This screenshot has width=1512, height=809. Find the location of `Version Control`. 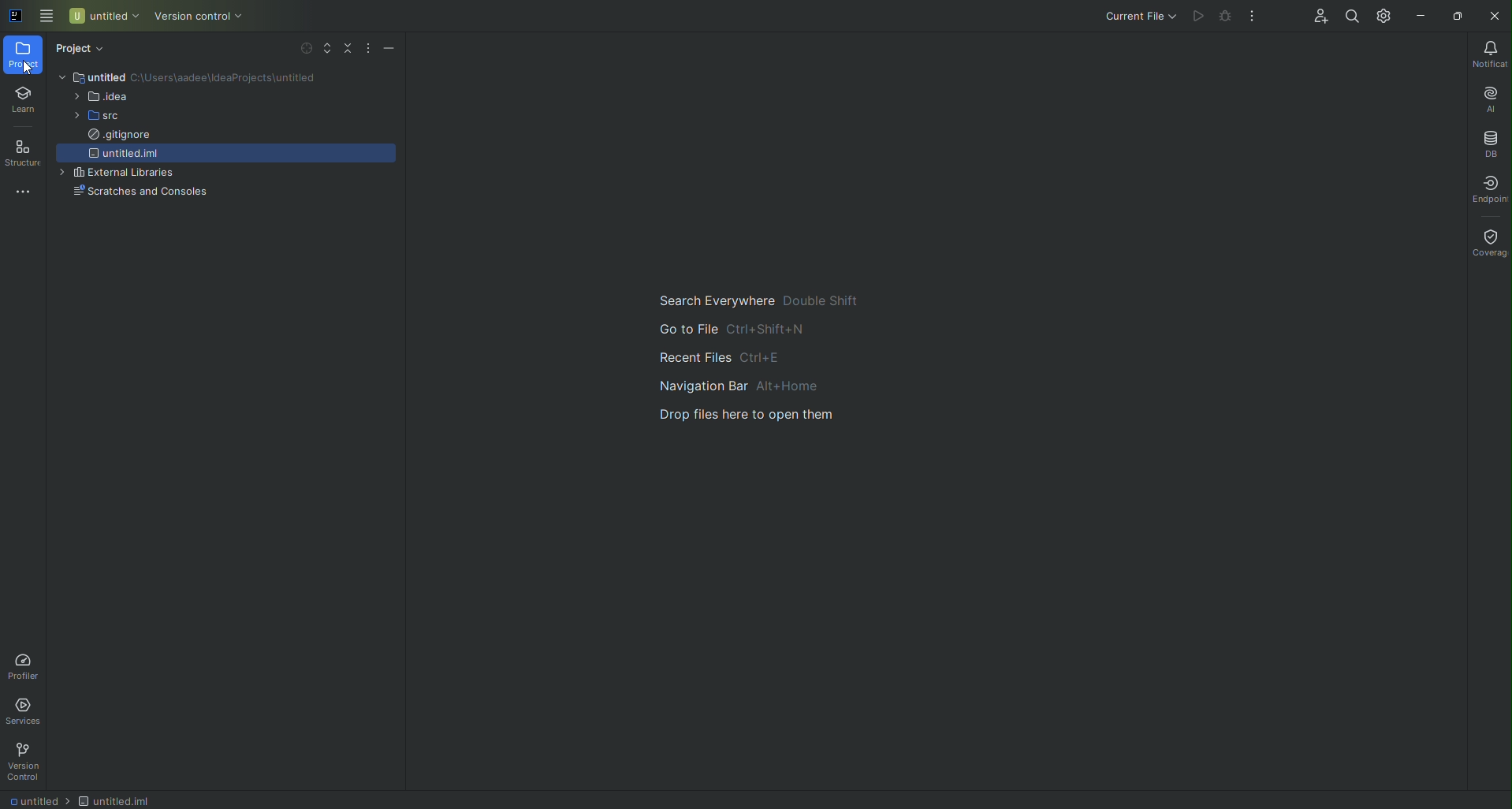

Version Control is located at coordinates (195, 18).